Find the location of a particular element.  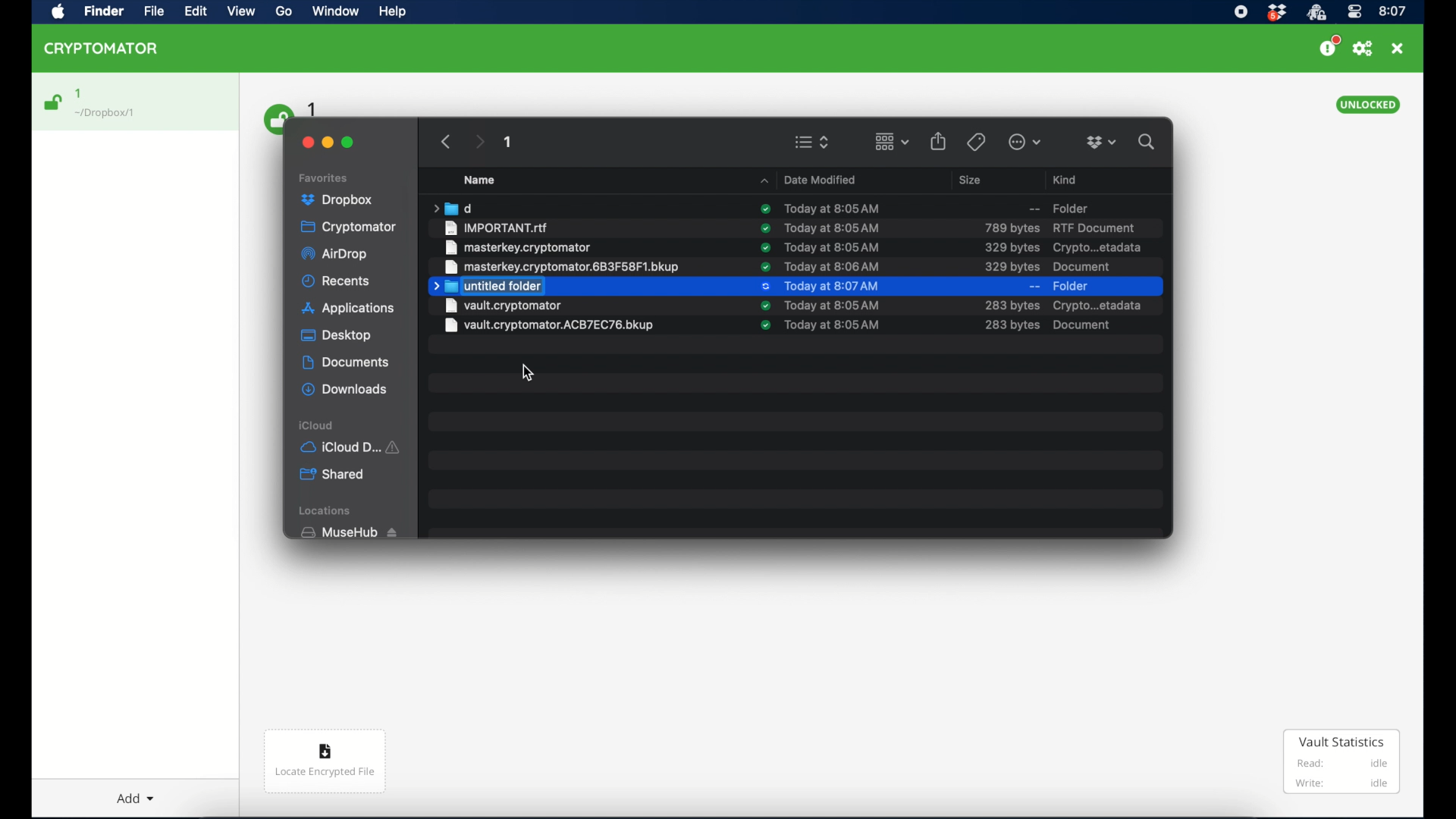

viewing options is located at coordinates (812, 142).